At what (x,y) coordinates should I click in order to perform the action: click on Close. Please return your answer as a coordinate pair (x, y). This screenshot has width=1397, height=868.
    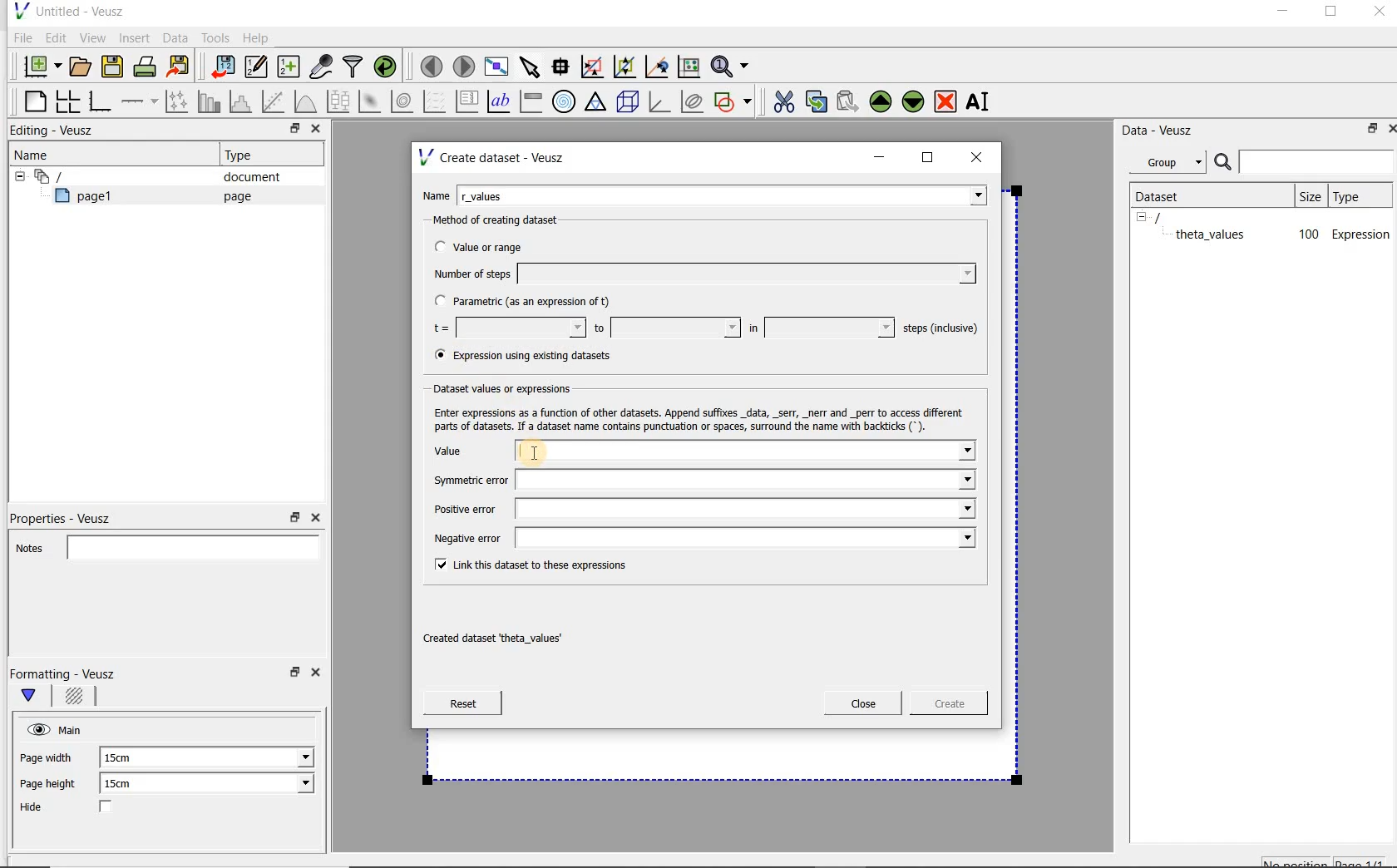
    Looking at the image, I should click on (314, 518).